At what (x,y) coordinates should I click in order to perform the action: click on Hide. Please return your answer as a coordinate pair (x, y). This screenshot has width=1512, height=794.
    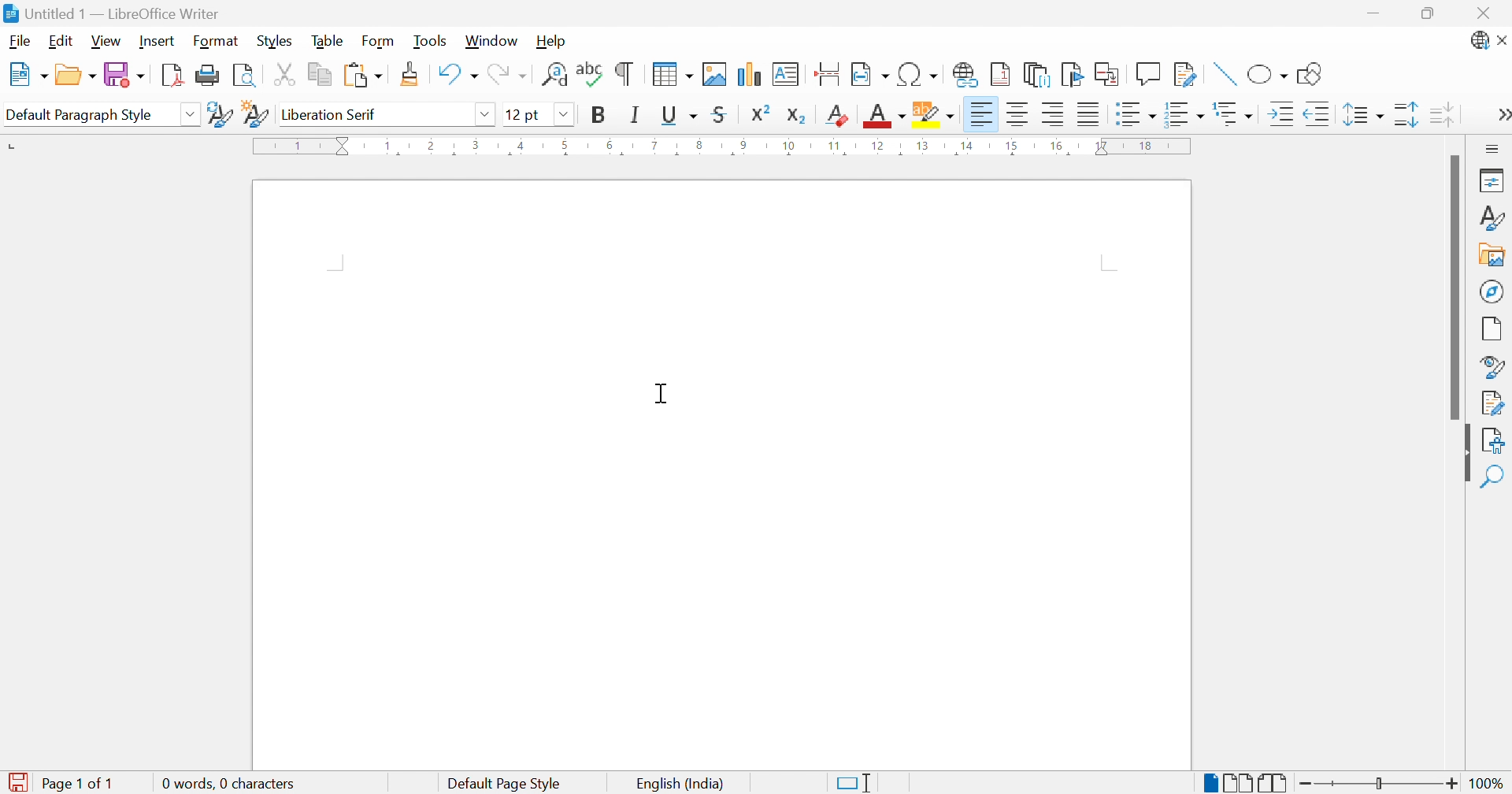
    Looking at the image, I should click on (1460, 455).